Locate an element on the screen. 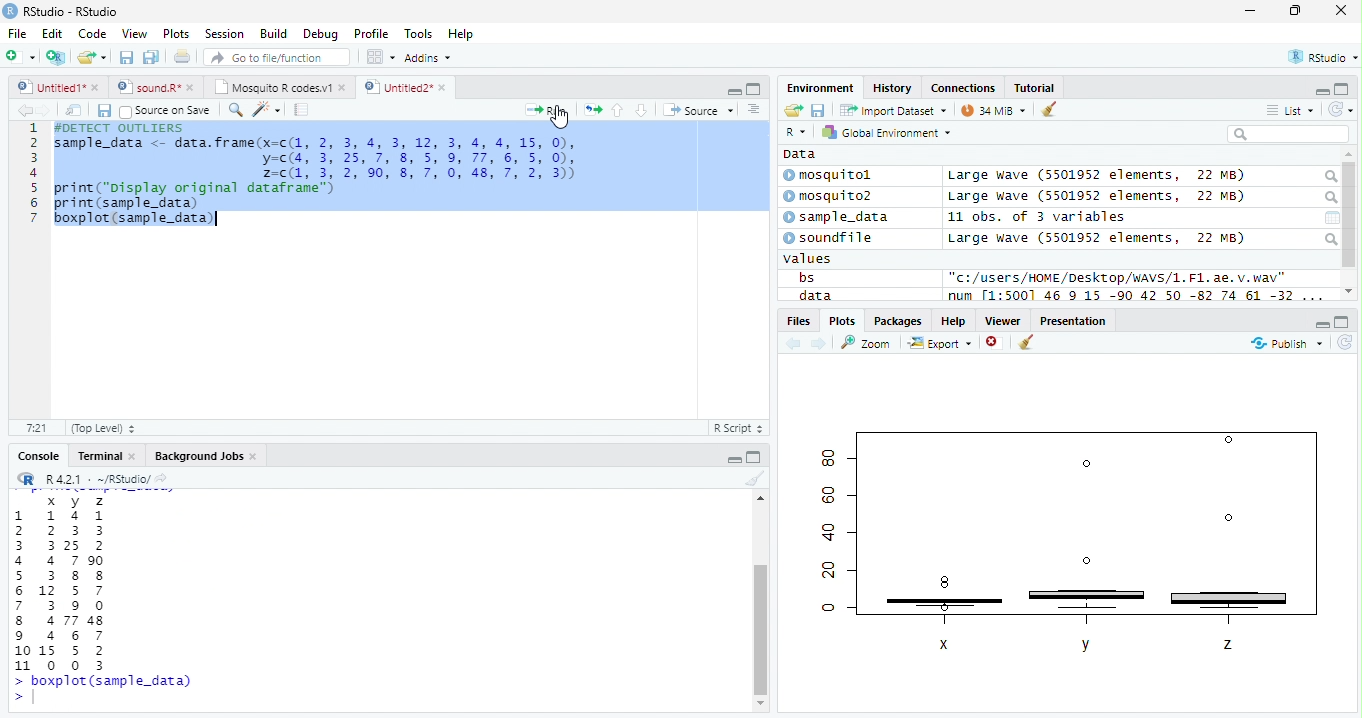 This screenshot has height=718, width=1362. Show in new window is located at coordinates (74, 111).